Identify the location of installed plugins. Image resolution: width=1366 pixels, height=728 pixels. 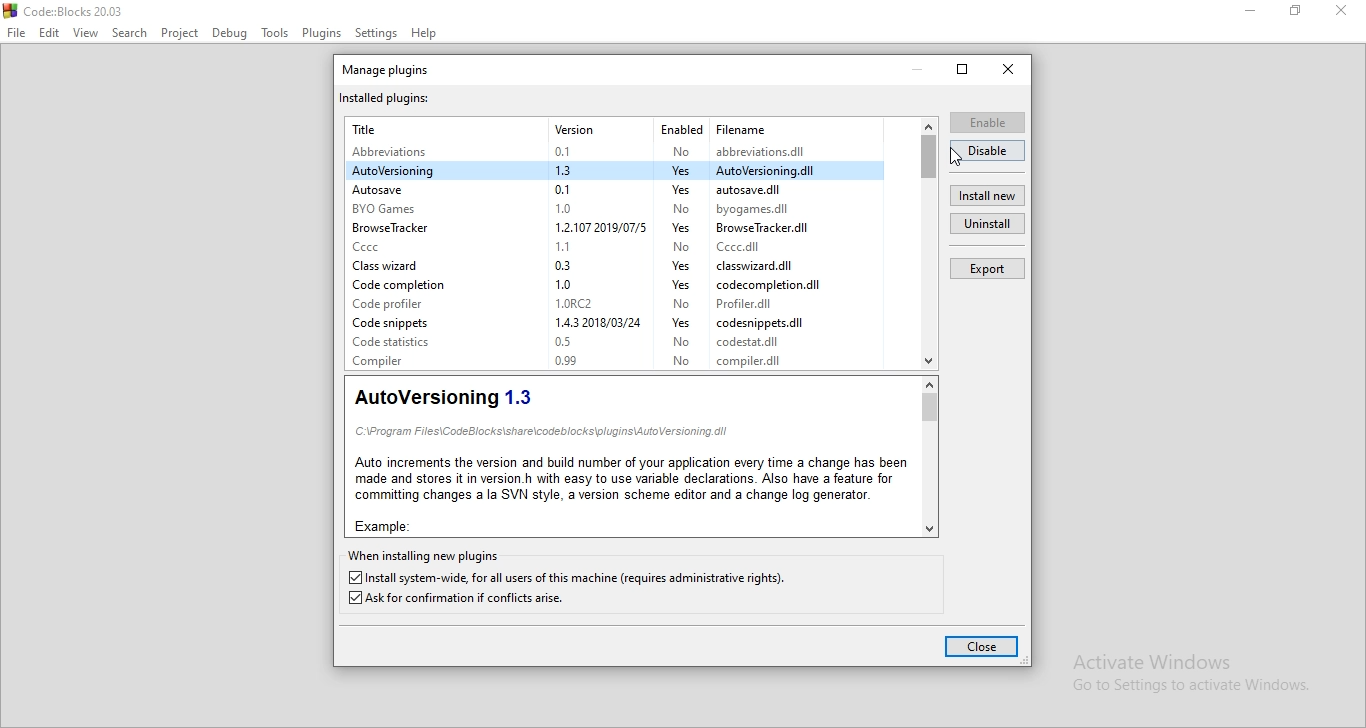
(386, 98).